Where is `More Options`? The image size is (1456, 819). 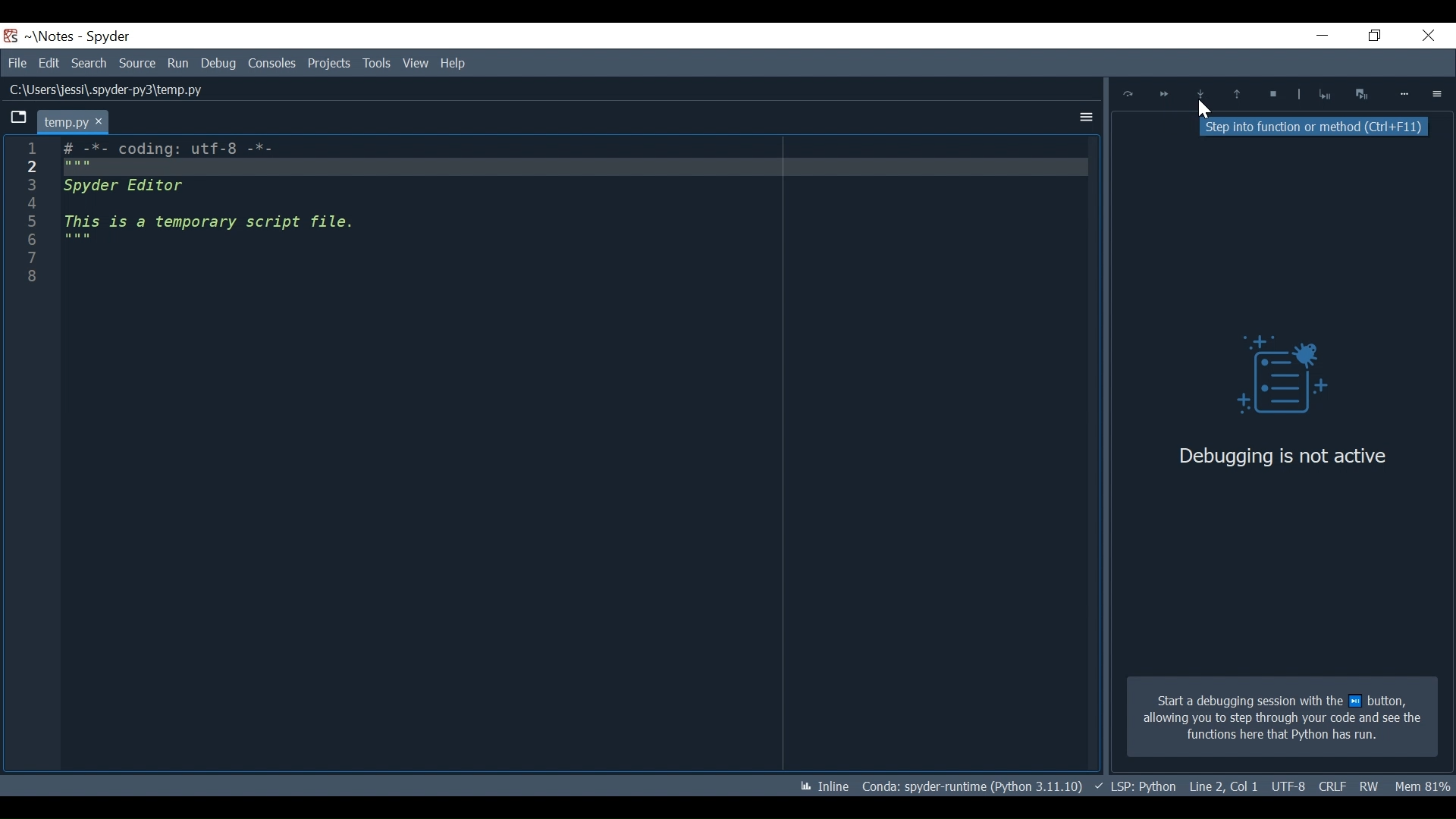
More Options is located at coordinates (1082, 115).